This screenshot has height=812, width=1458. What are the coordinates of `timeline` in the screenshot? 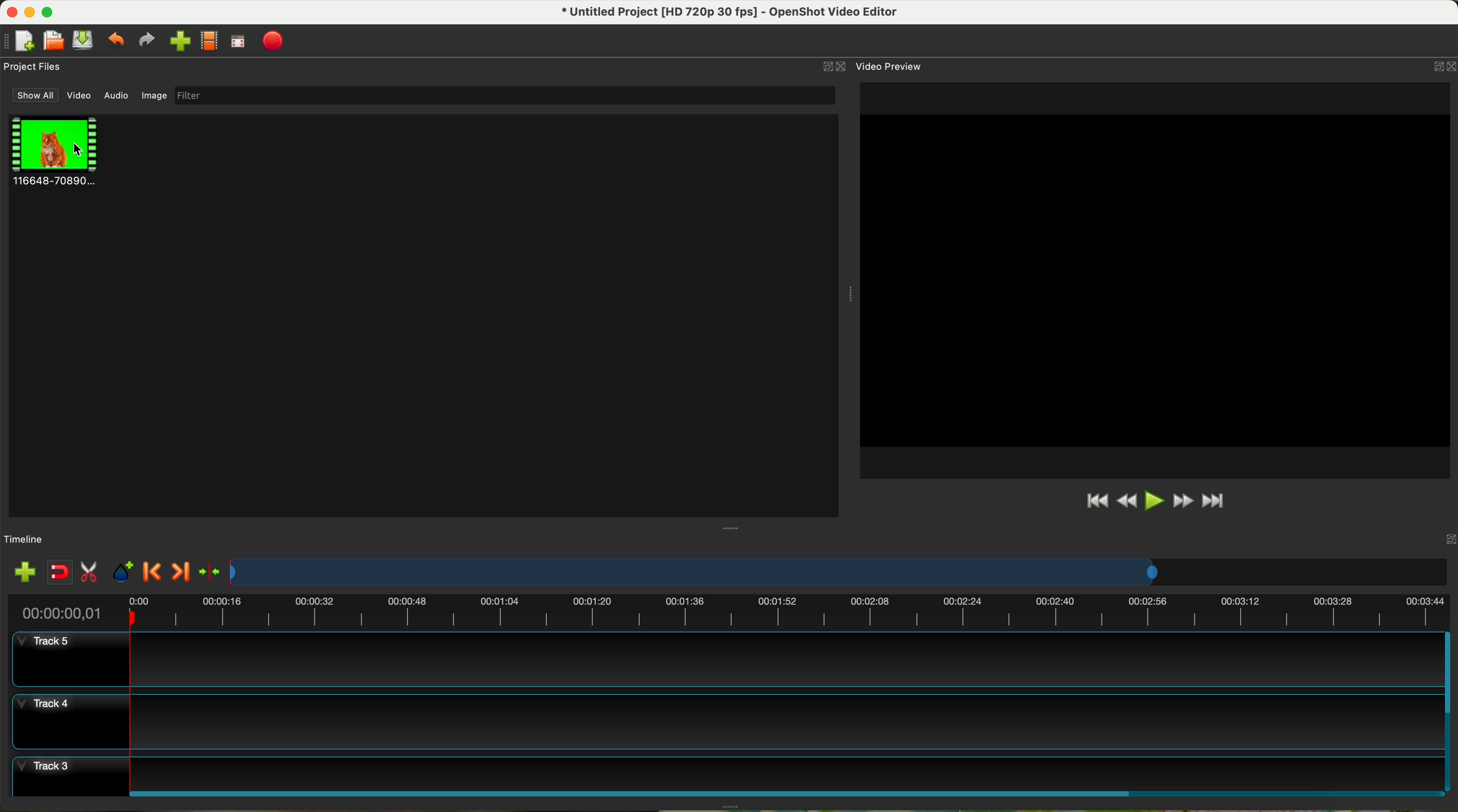 It's located at (840, 572).